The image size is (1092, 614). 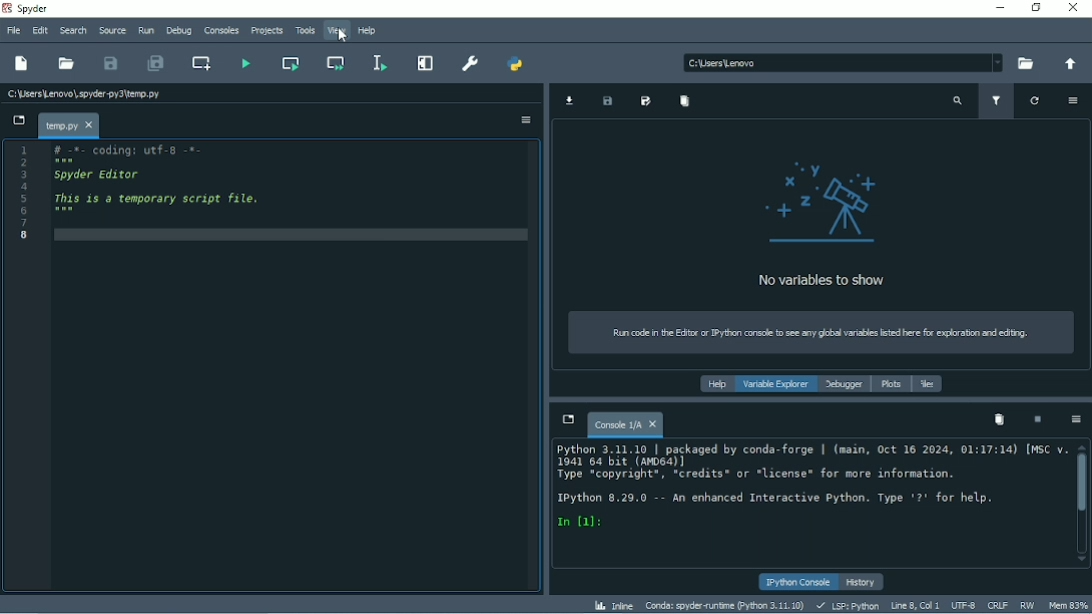 What do you see at coordinates (846, 606) in the screenshot?
I see `LSP` at bounding box center [846, 606].